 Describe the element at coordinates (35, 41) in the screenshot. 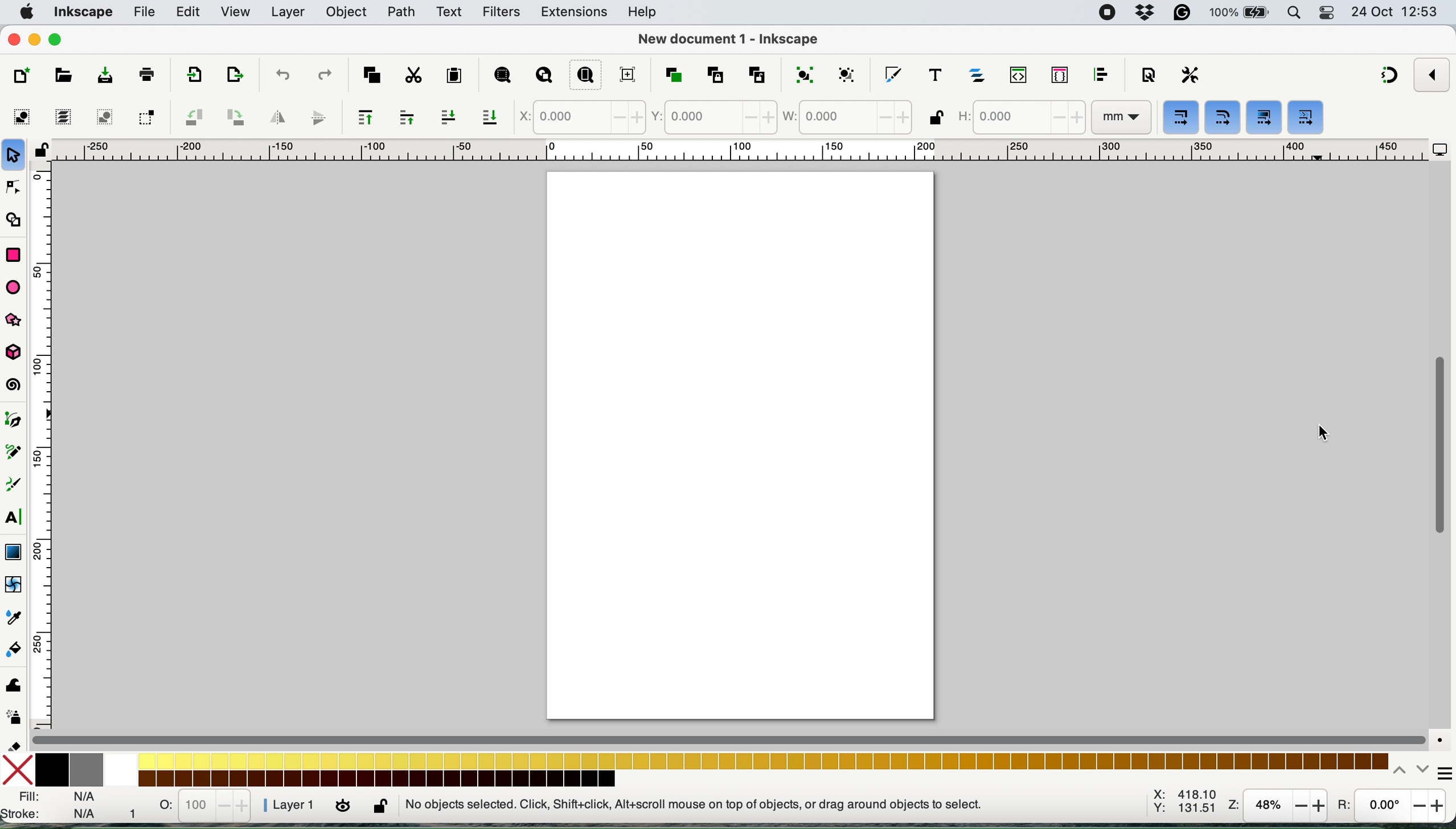

I see `minimise` at that location.